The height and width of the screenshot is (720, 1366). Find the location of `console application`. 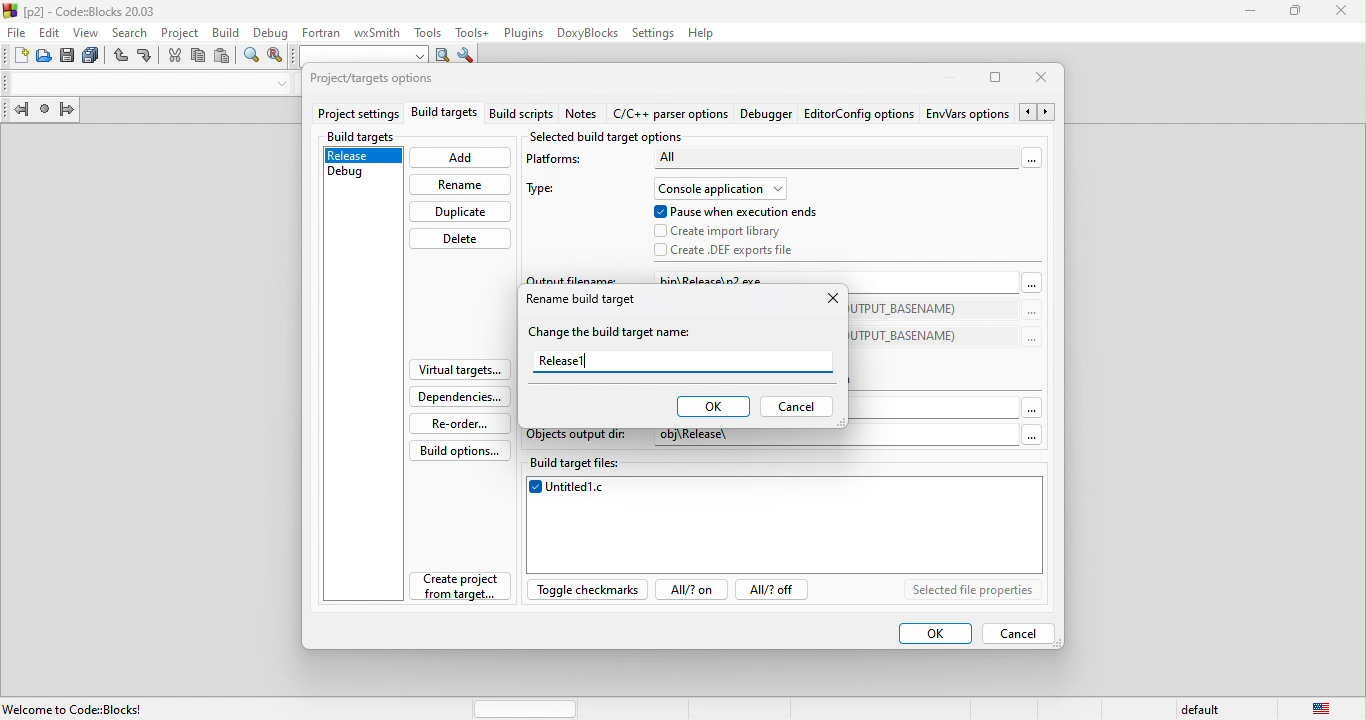

console application is located at coordinates (718, 189).